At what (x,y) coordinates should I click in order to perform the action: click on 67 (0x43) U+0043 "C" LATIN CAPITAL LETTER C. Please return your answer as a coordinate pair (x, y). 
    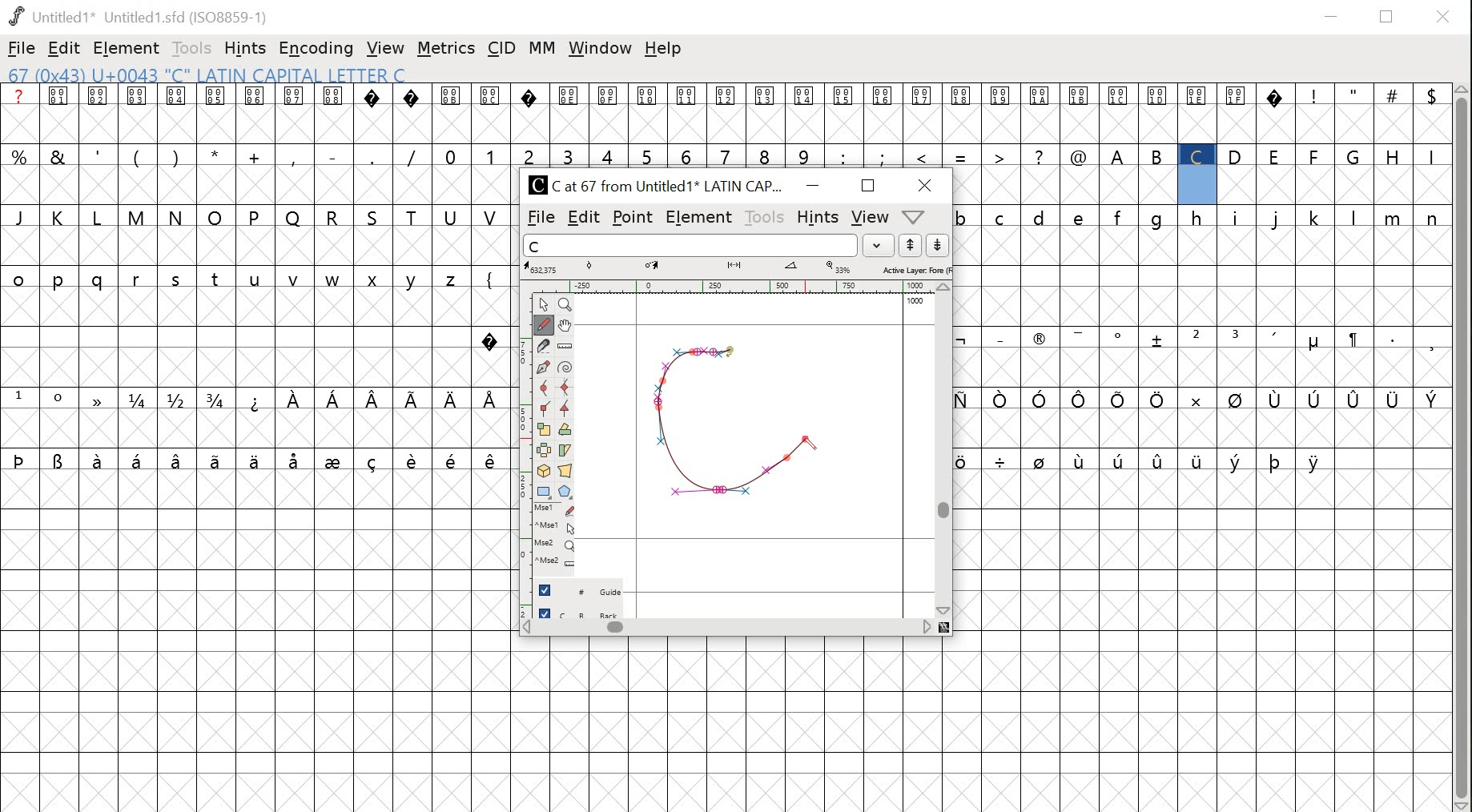
    Looking at the image, I should click on (225, 74).